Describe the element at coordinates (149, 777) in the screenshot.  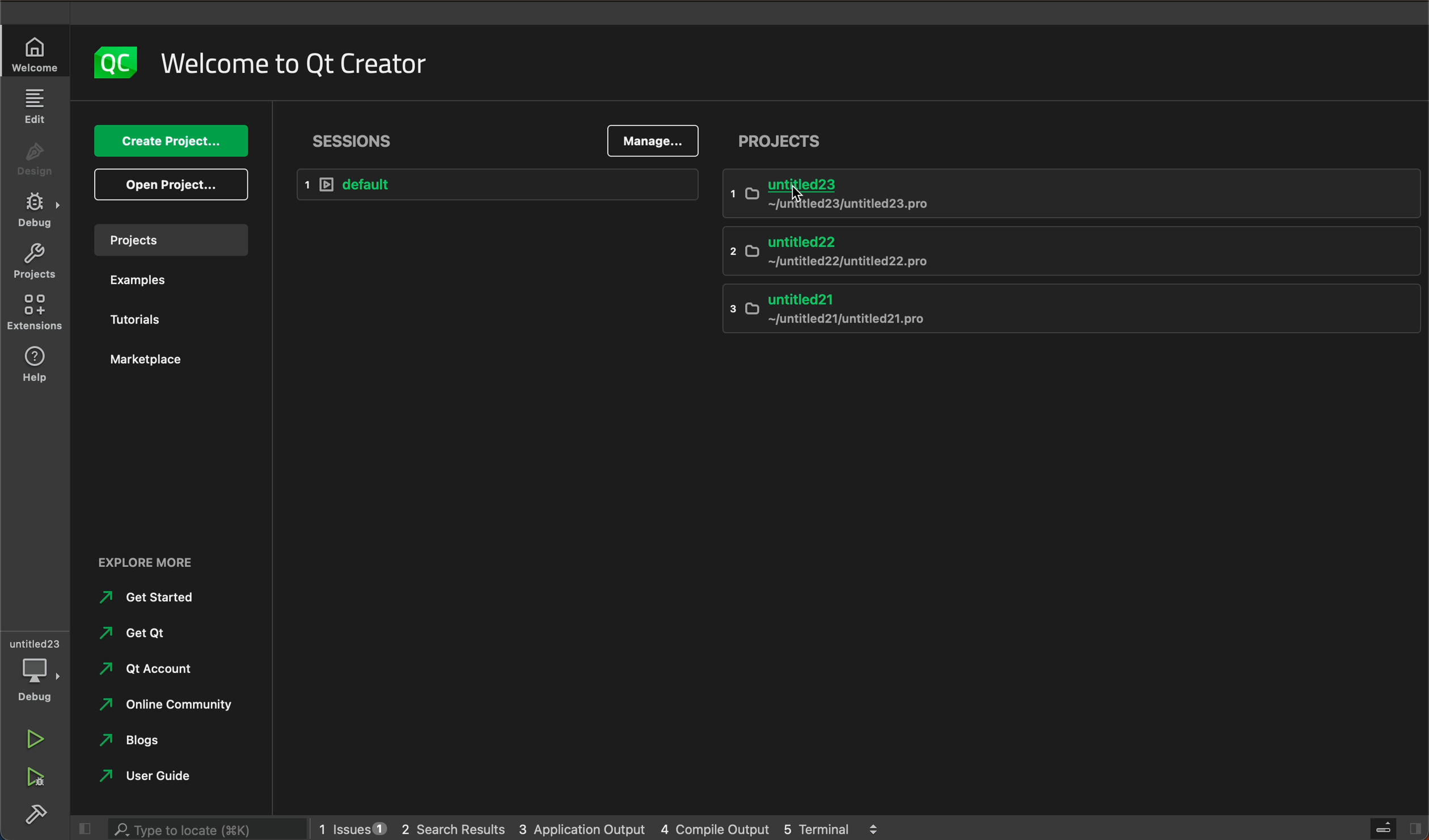
I see `user guide` at that location.